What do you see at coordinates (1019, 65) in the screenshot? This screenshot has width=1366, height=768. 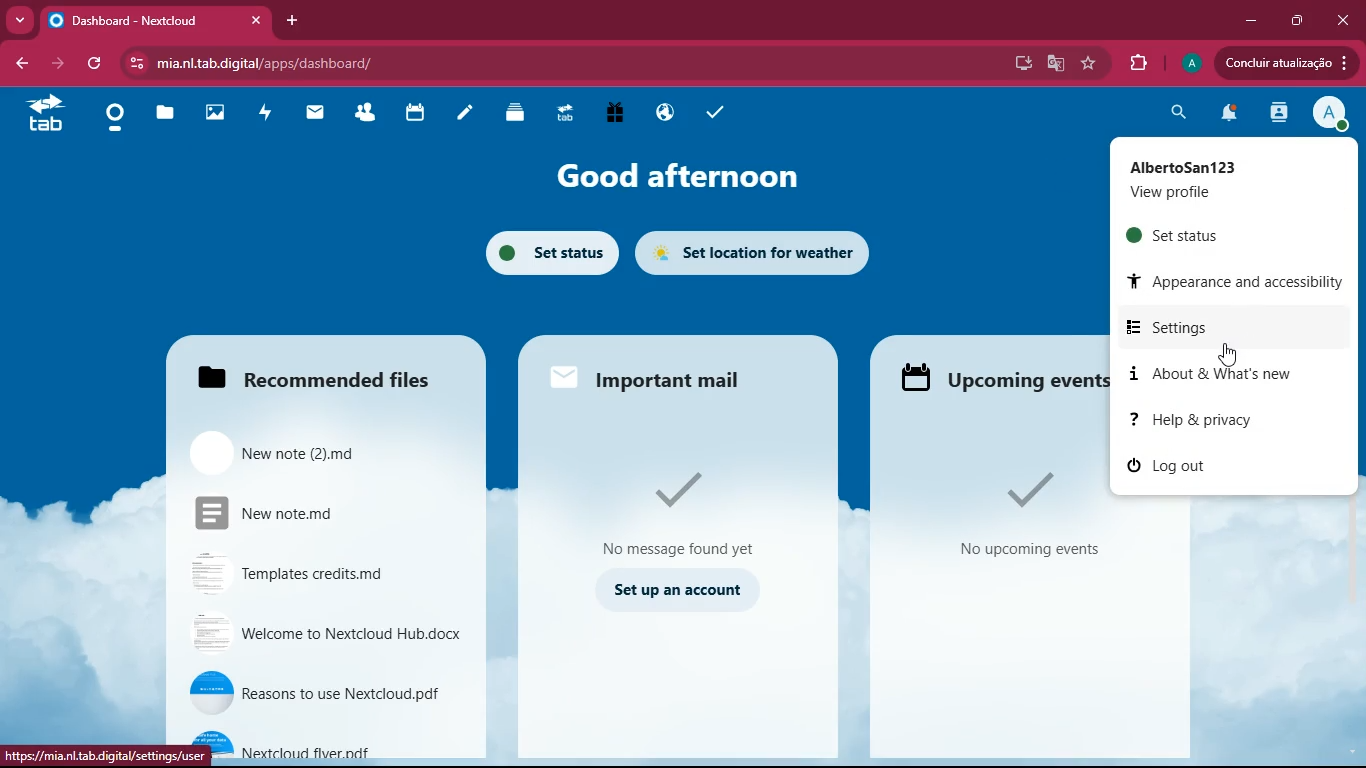 I see `desktop` at bounding box center [1019, 65].